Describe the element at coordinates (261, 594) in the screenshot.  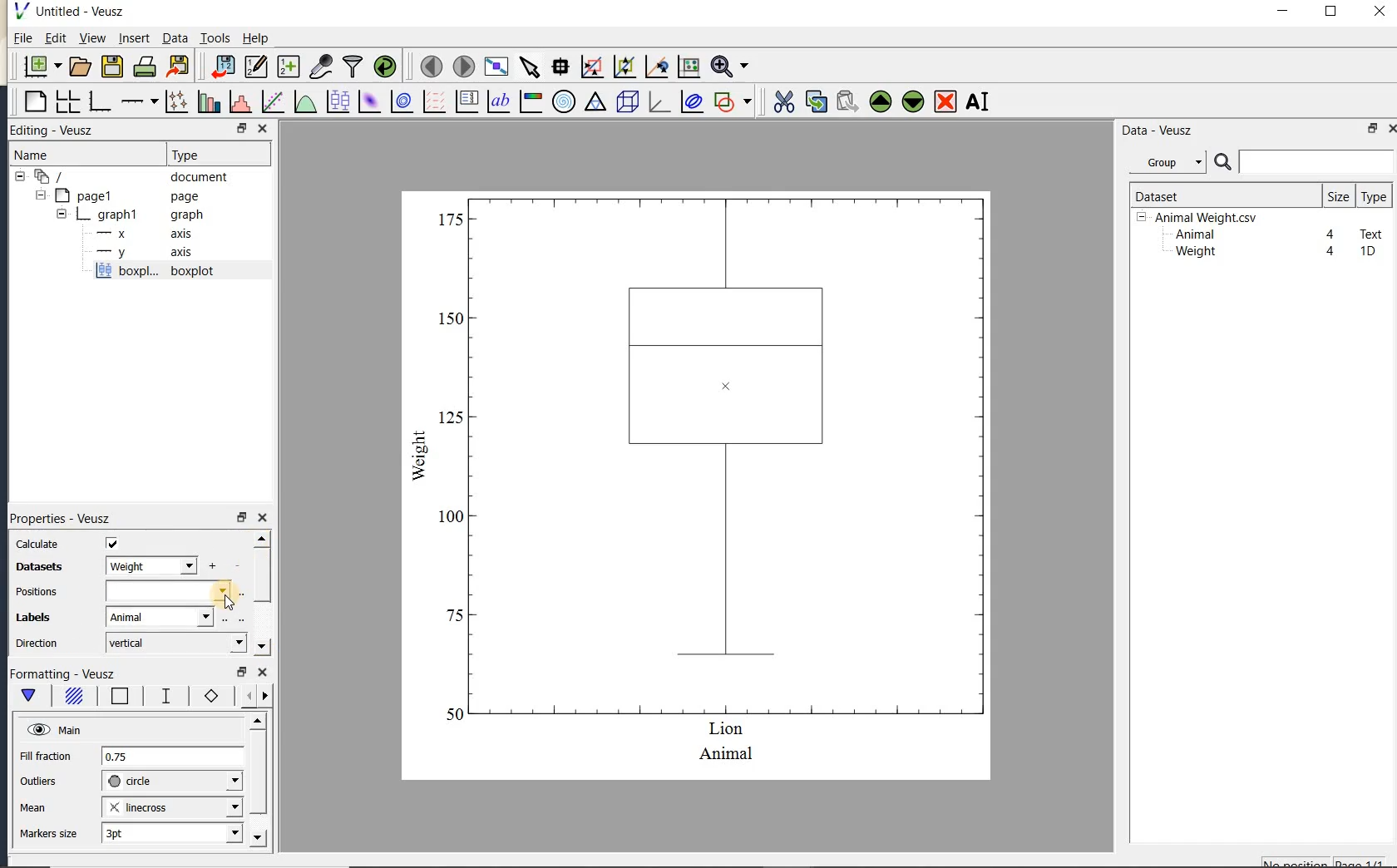
I see `scrollbar` at that location.